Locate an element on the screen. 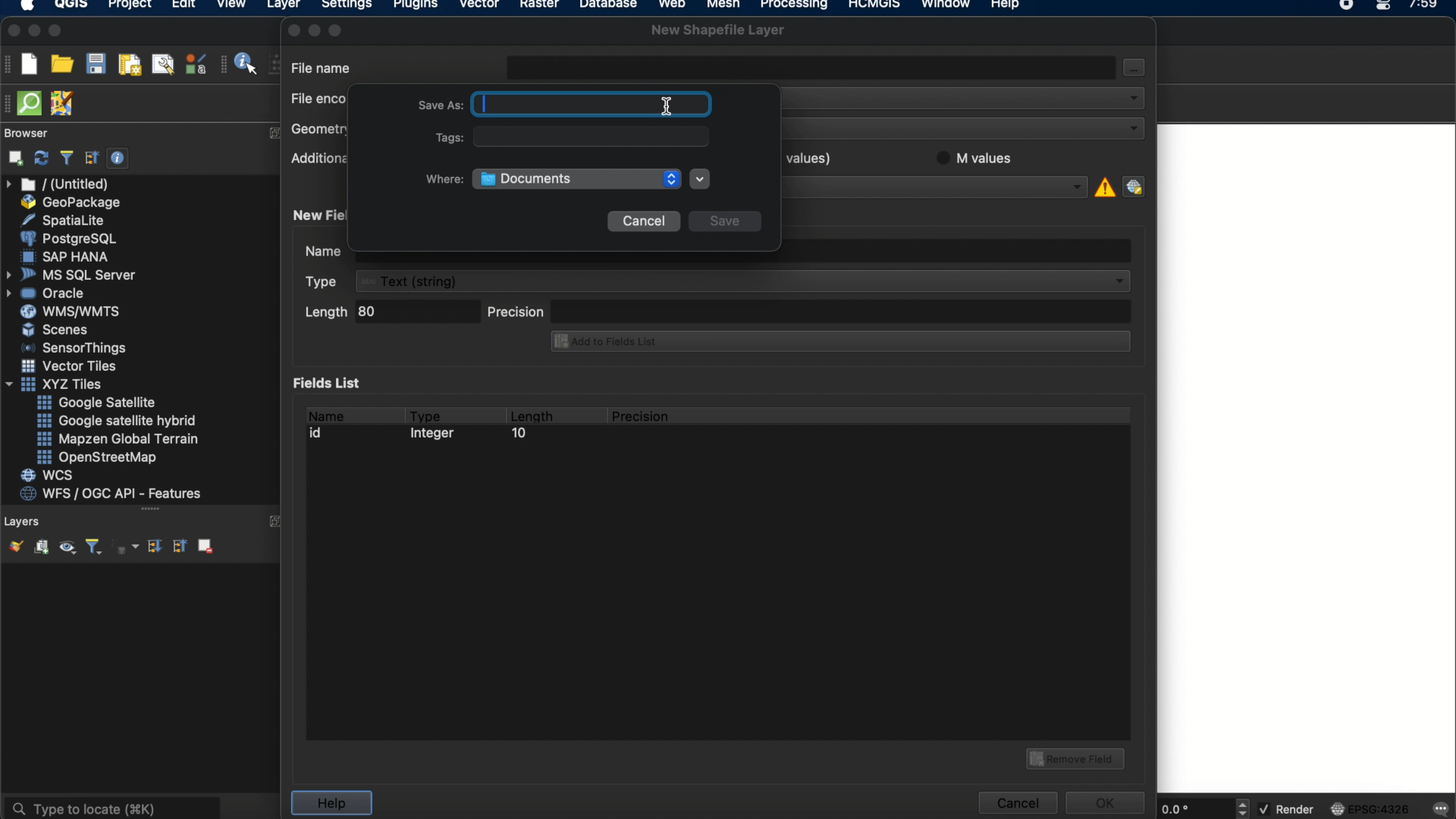 This screenshot has height=819, width=1456. Name is located at coordinates (324, 253).